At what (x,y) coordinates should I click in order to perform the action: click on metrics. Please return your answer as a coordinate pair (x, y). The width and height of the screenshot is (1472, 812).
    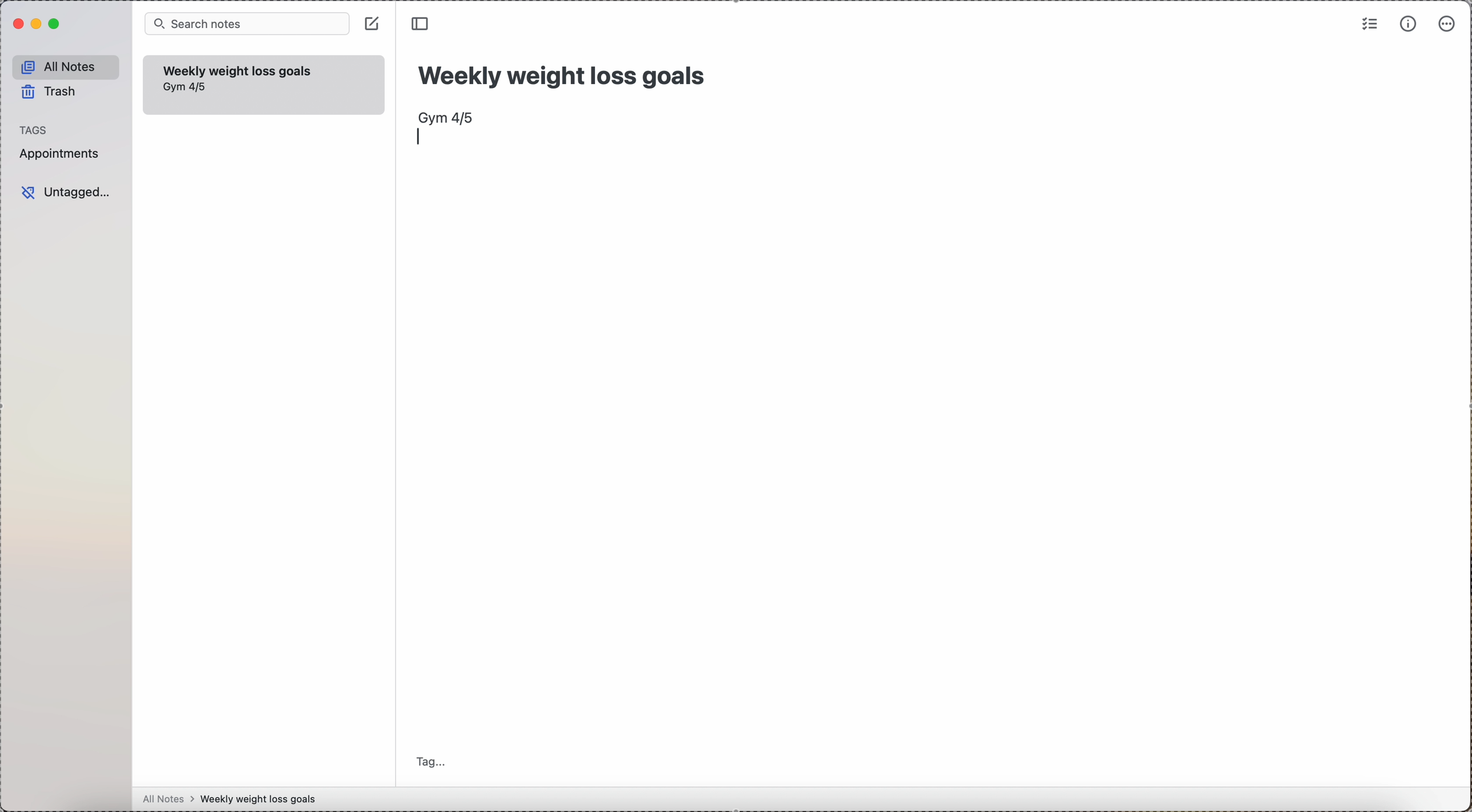
    Looking at the image, I should click on (1407, 25).